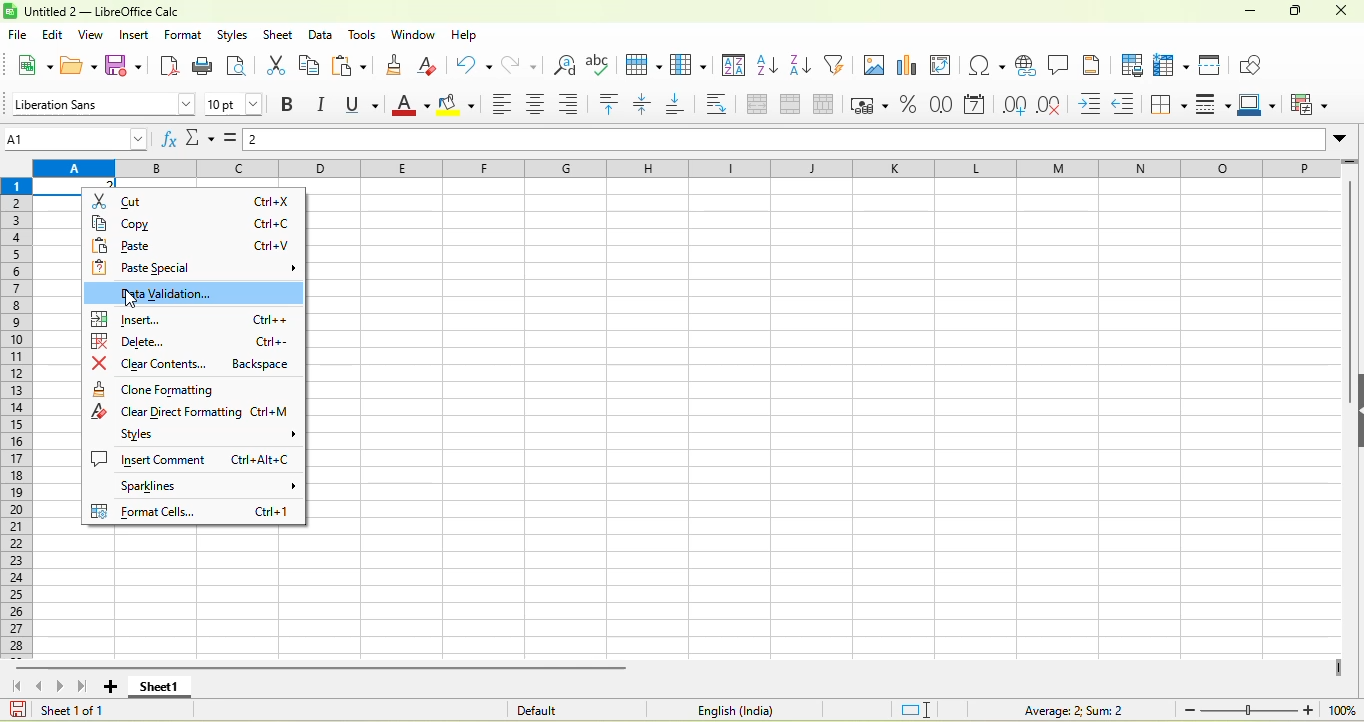 Image resolution: width=1364 pixels, height=722 pixels. I want to click on copy, so click(195, 225).